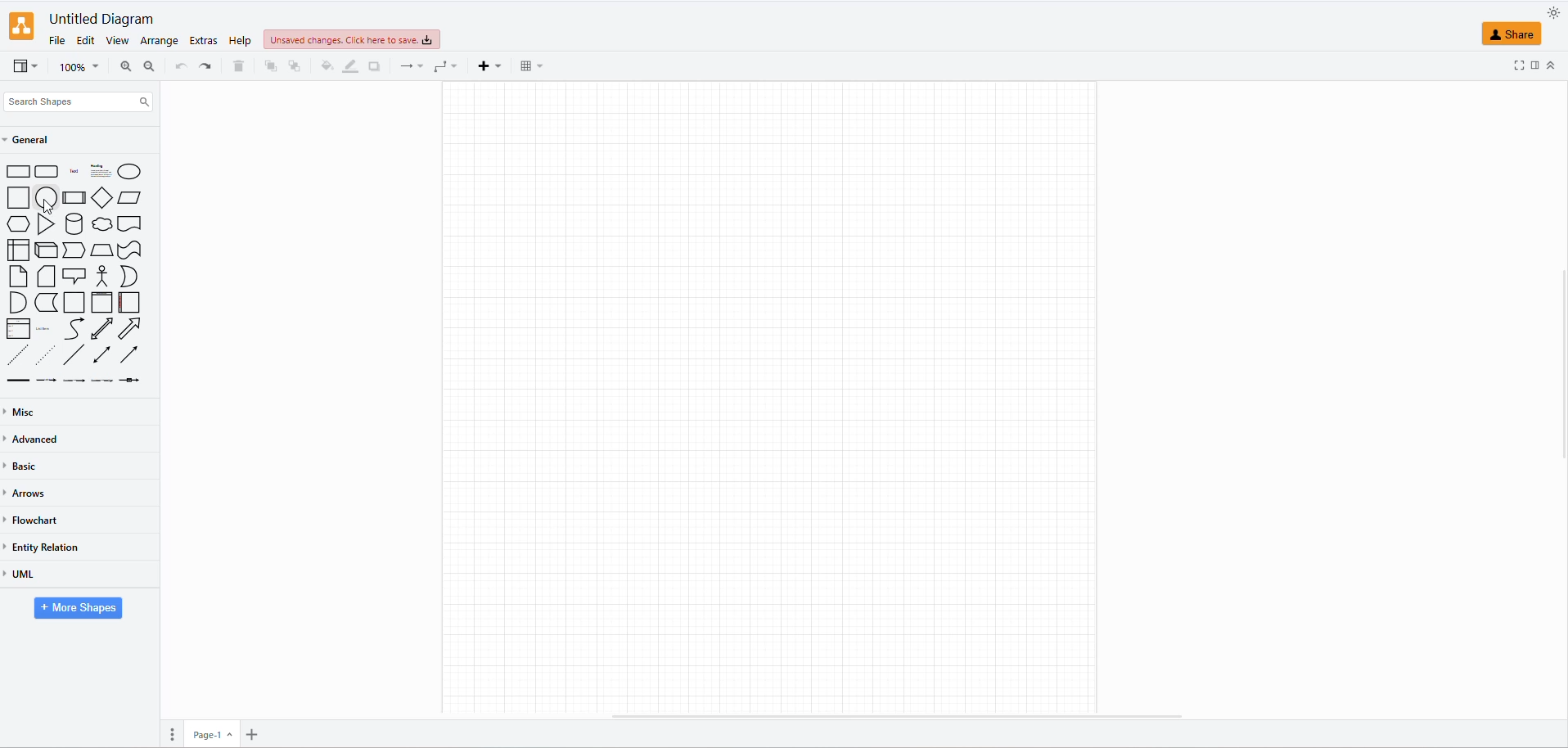 The width and height of the screenshot is (1568, 748). What do you see at coordinates (15, 197) in the screenshot?
I see `SQUARE` at bounding box center [15, 197].